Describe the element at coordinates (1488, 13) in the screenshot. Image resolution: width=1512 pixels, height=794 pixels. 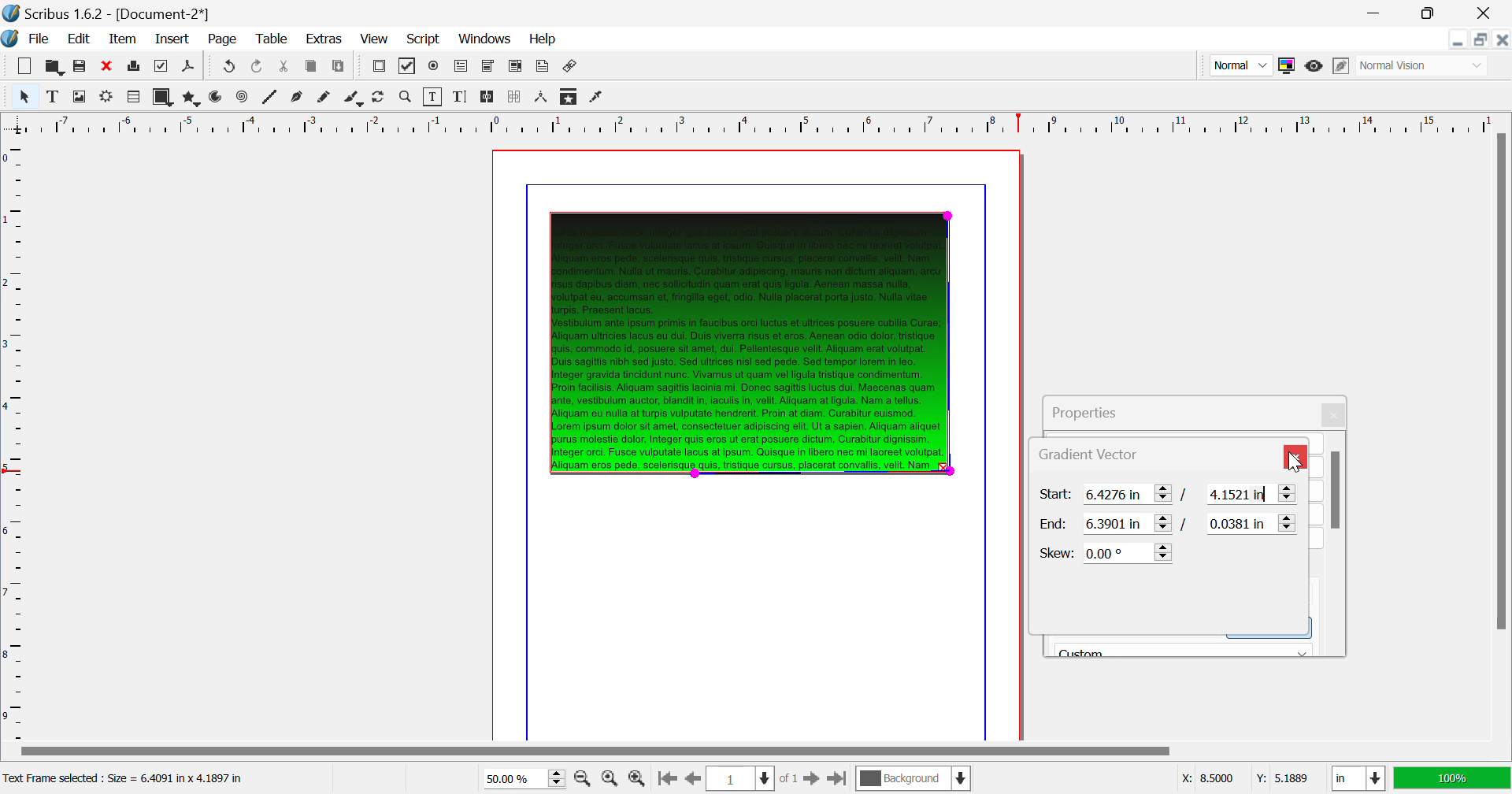
I see `Close` at that location.